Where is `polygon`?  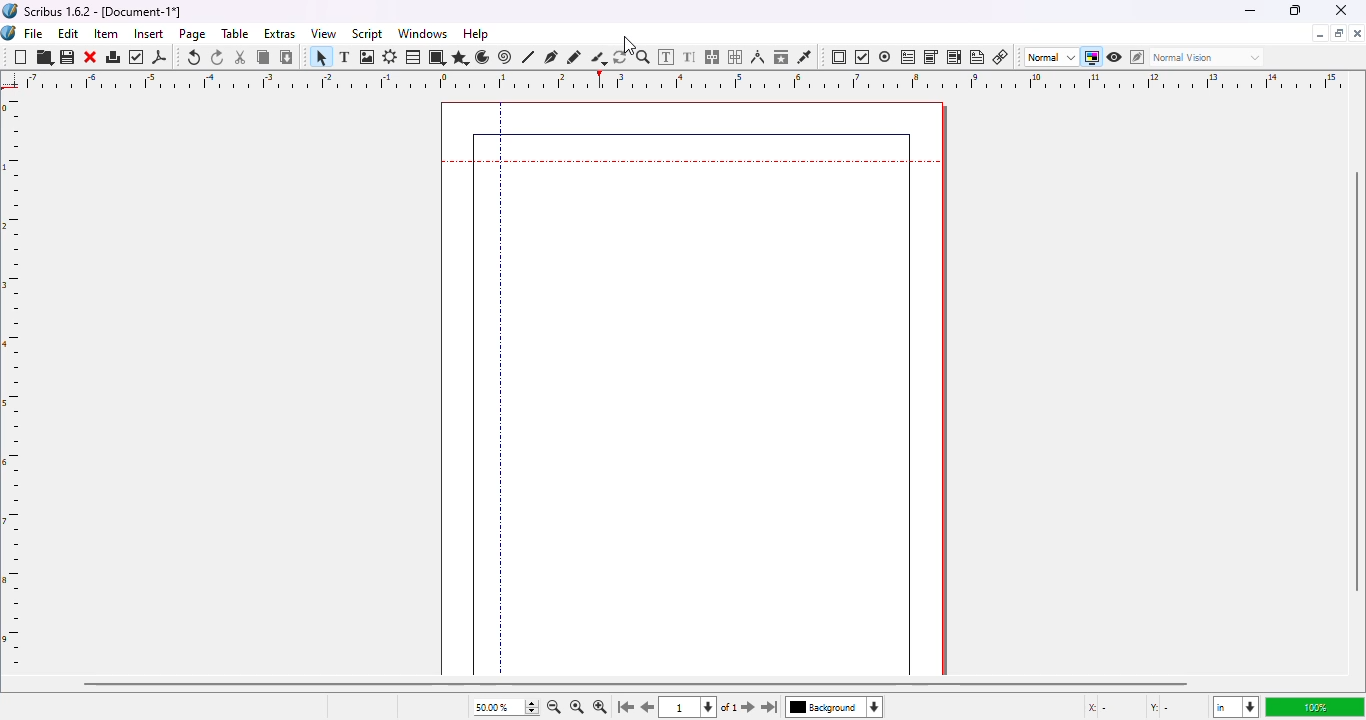
polygon is located at coordinates (459, 57).